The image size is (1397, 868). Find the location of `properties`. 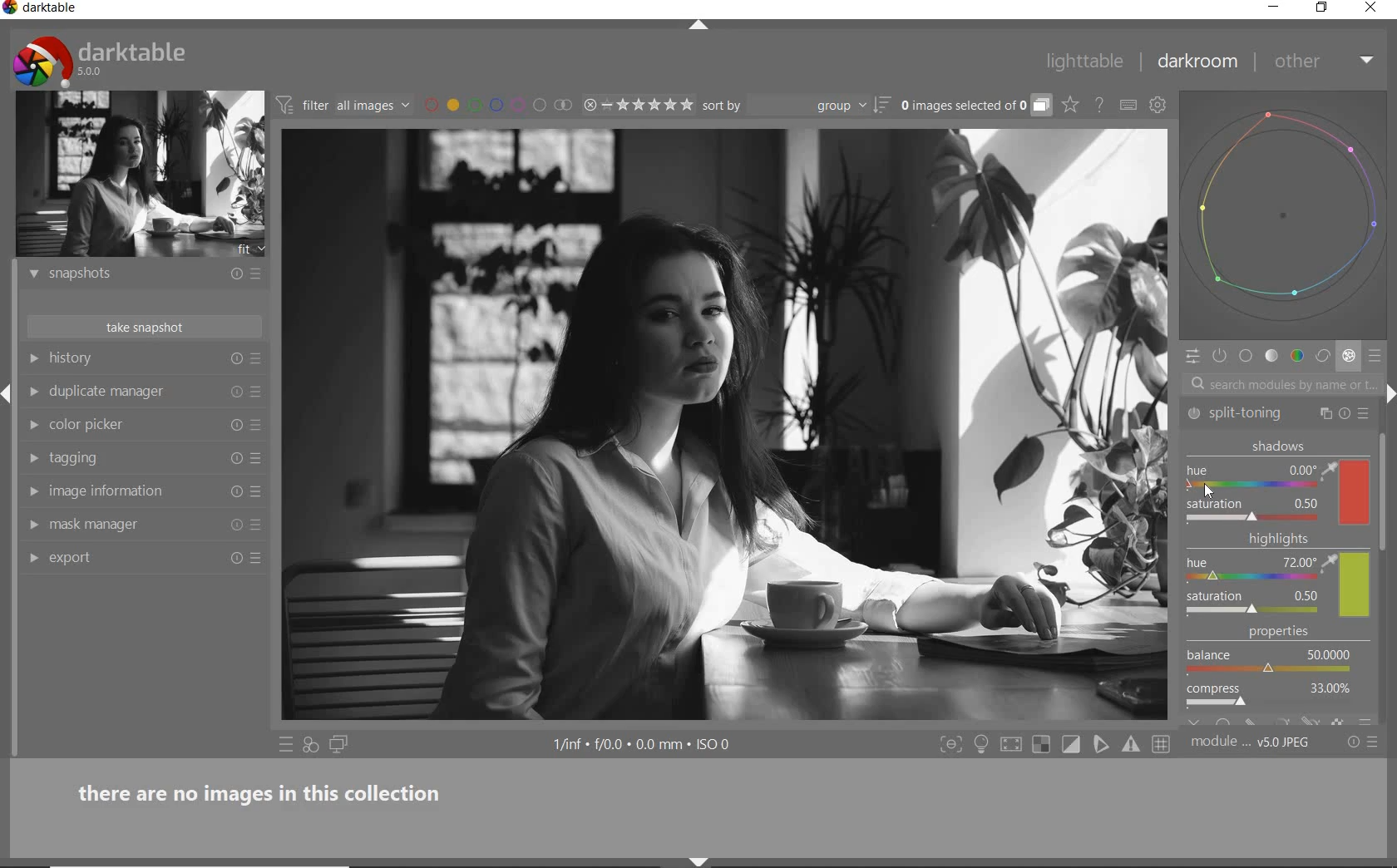

properties is located at coordinates (1281, 674).